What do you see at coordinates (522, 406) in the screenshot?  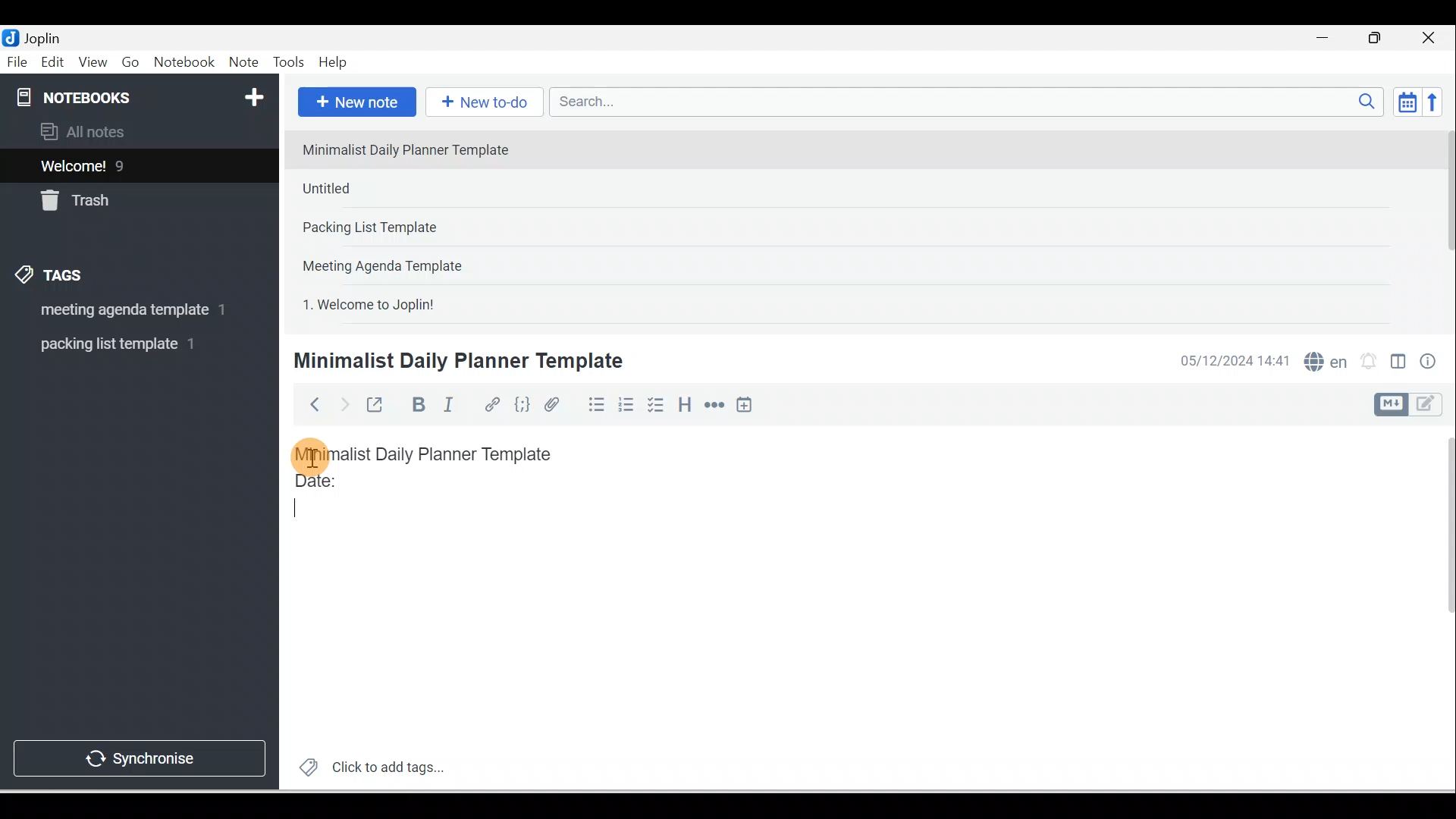 I see `Code` at bounding box center [522, 406].